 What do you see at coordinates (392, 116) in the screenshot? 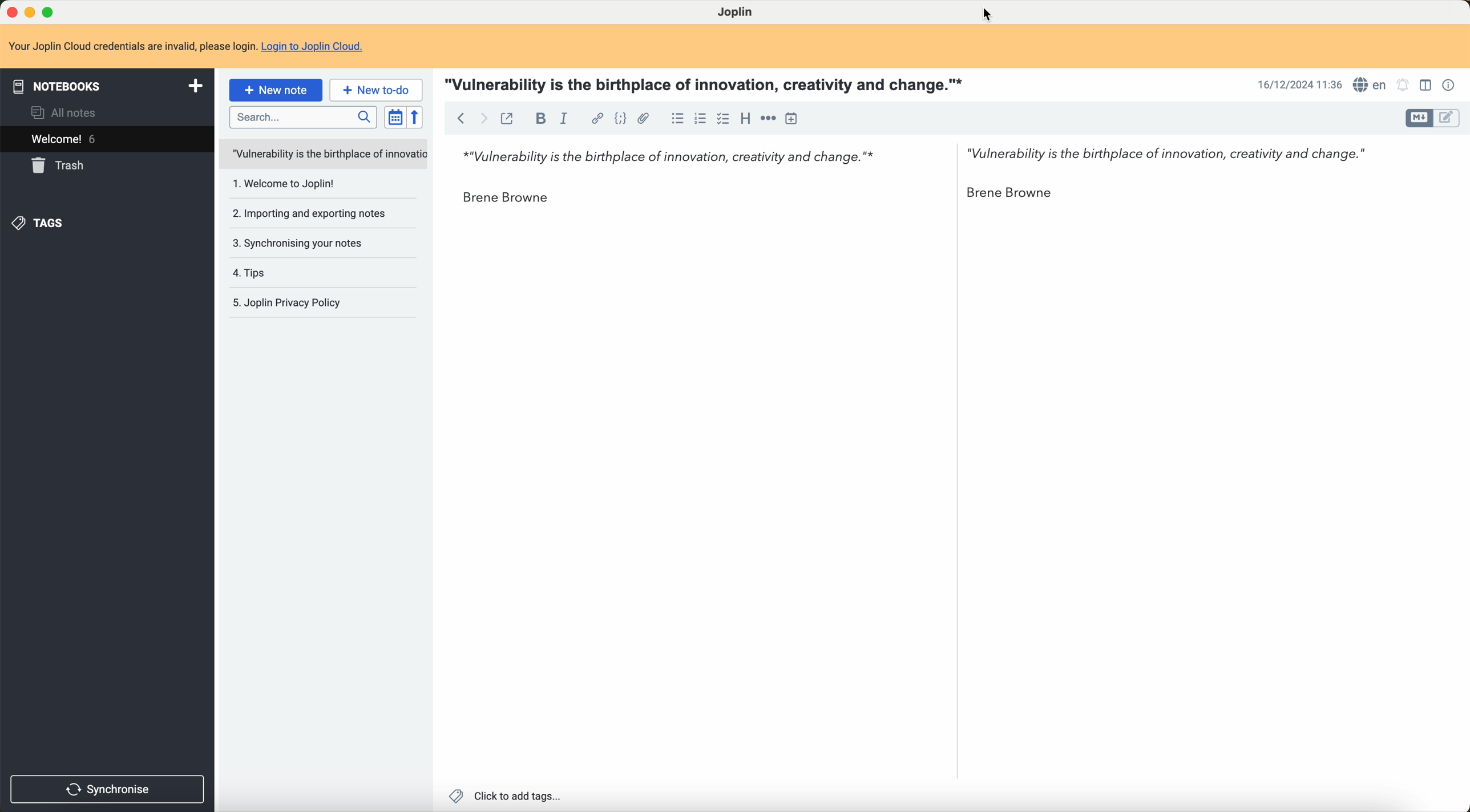
I see `toggle sort order field` at bounding box center [392, 116].